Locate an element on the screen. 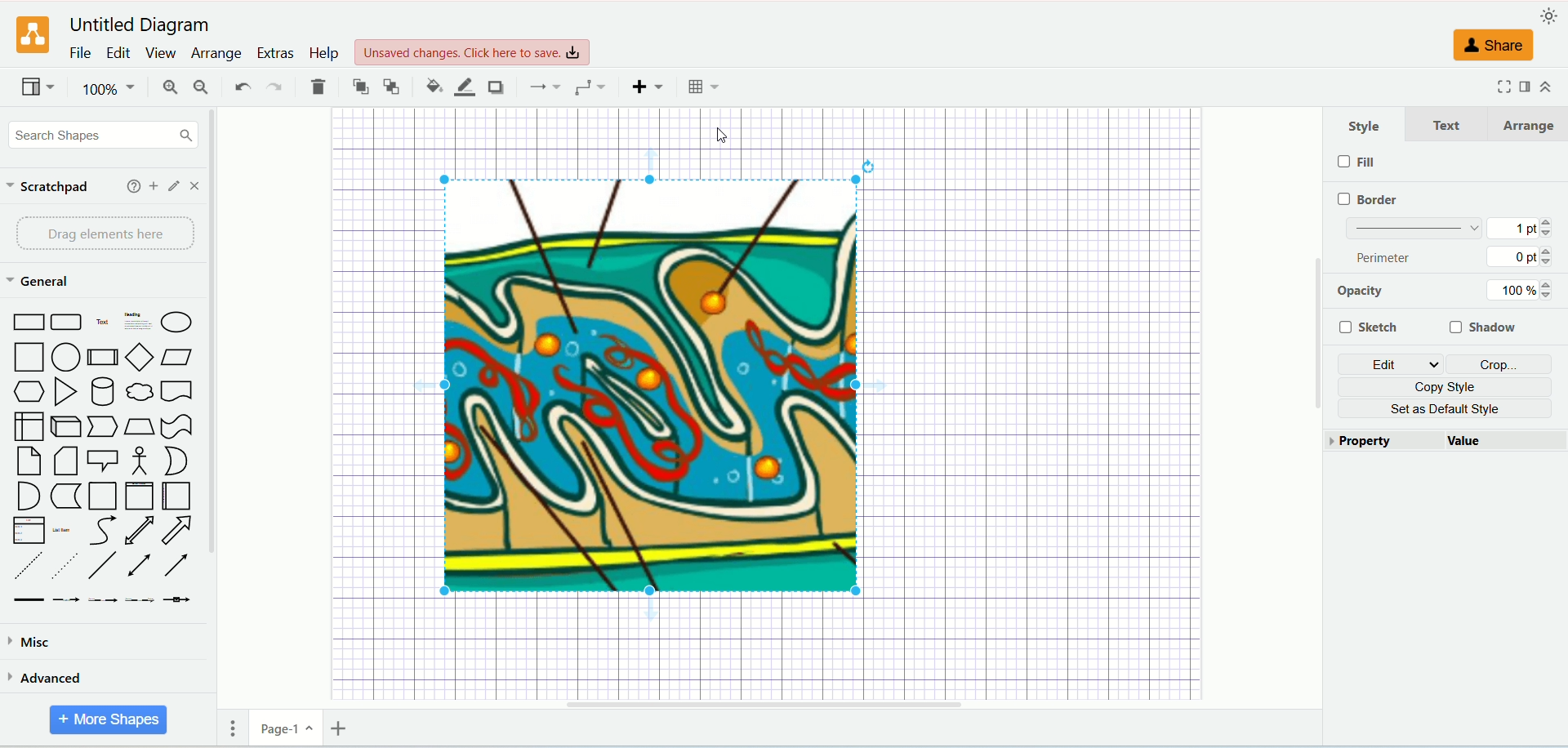 Image resolution: width=1568 pixels, height=748 pixels. general is located at coordinates (42, 283).